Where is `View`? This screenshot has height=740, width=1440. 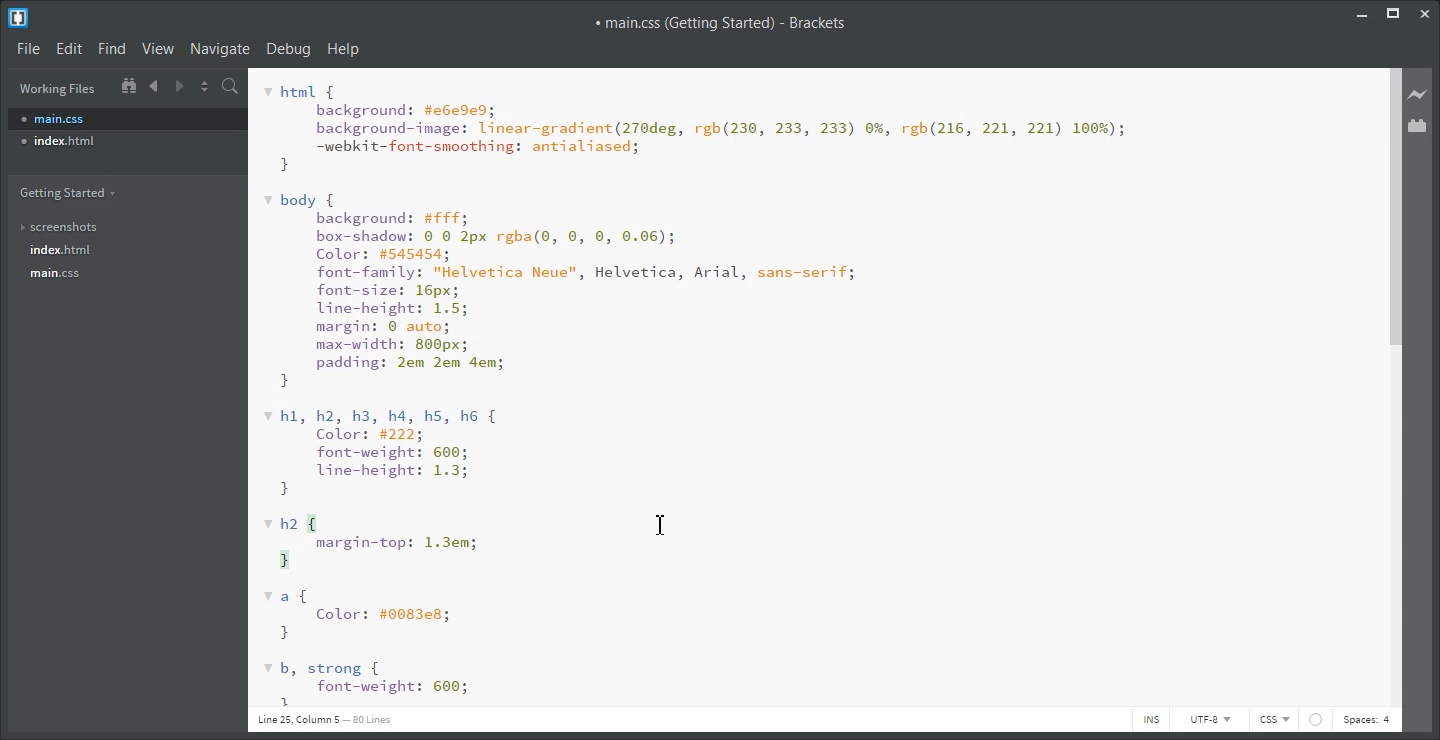 View is located at coordinates (158, 48).